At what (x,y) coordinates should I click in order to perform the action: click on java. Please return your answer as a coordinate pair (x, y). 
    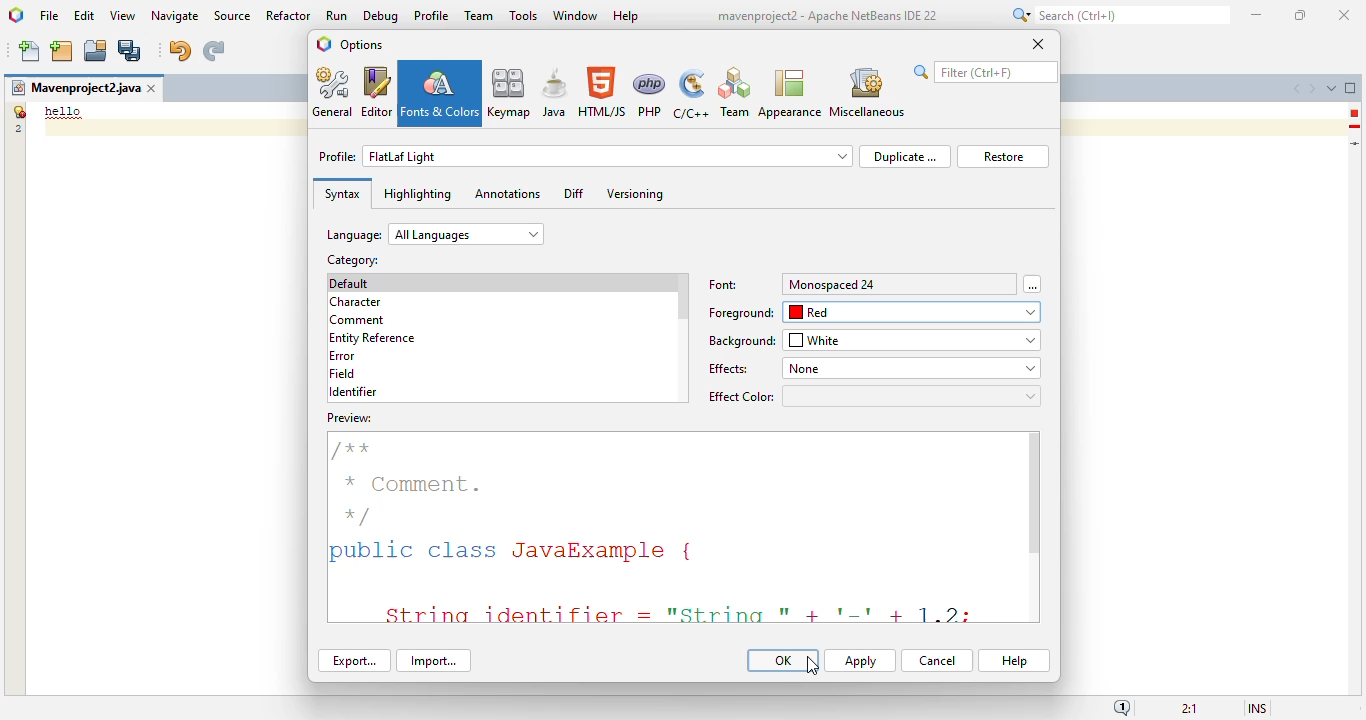
    Looking at the image, I should click on (555, 92).